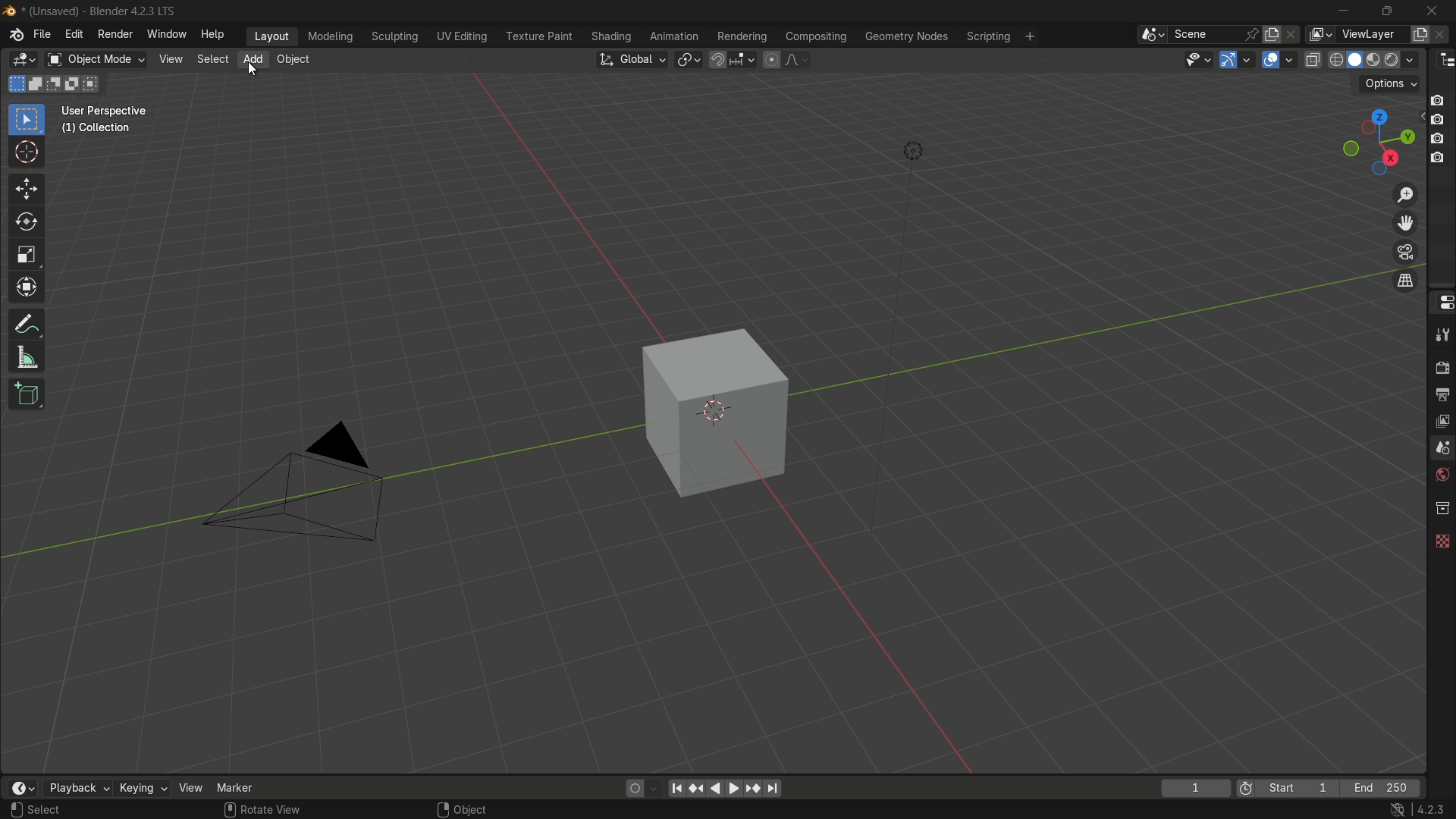 Image resolution: width=1456 pixels, height=819 pixels. What do you see at coordinates (142, 788) in the screenshot?
I see `keying` at bounding box center [142, 788].